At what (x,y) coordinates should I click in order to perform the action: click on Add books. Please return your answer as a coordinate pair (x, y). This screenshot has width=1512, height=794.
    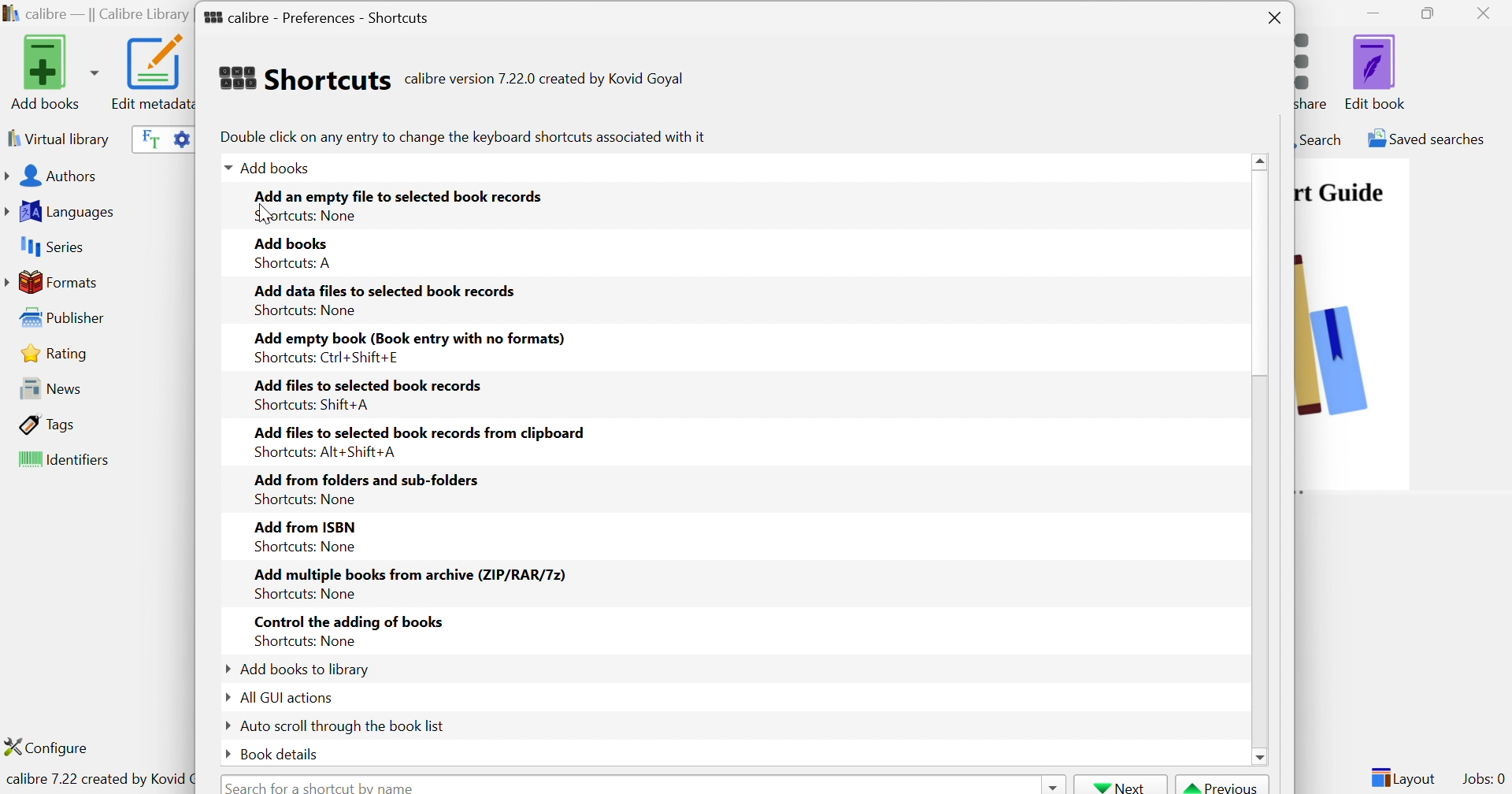
    Looking at the image, I should click on (52, 72).